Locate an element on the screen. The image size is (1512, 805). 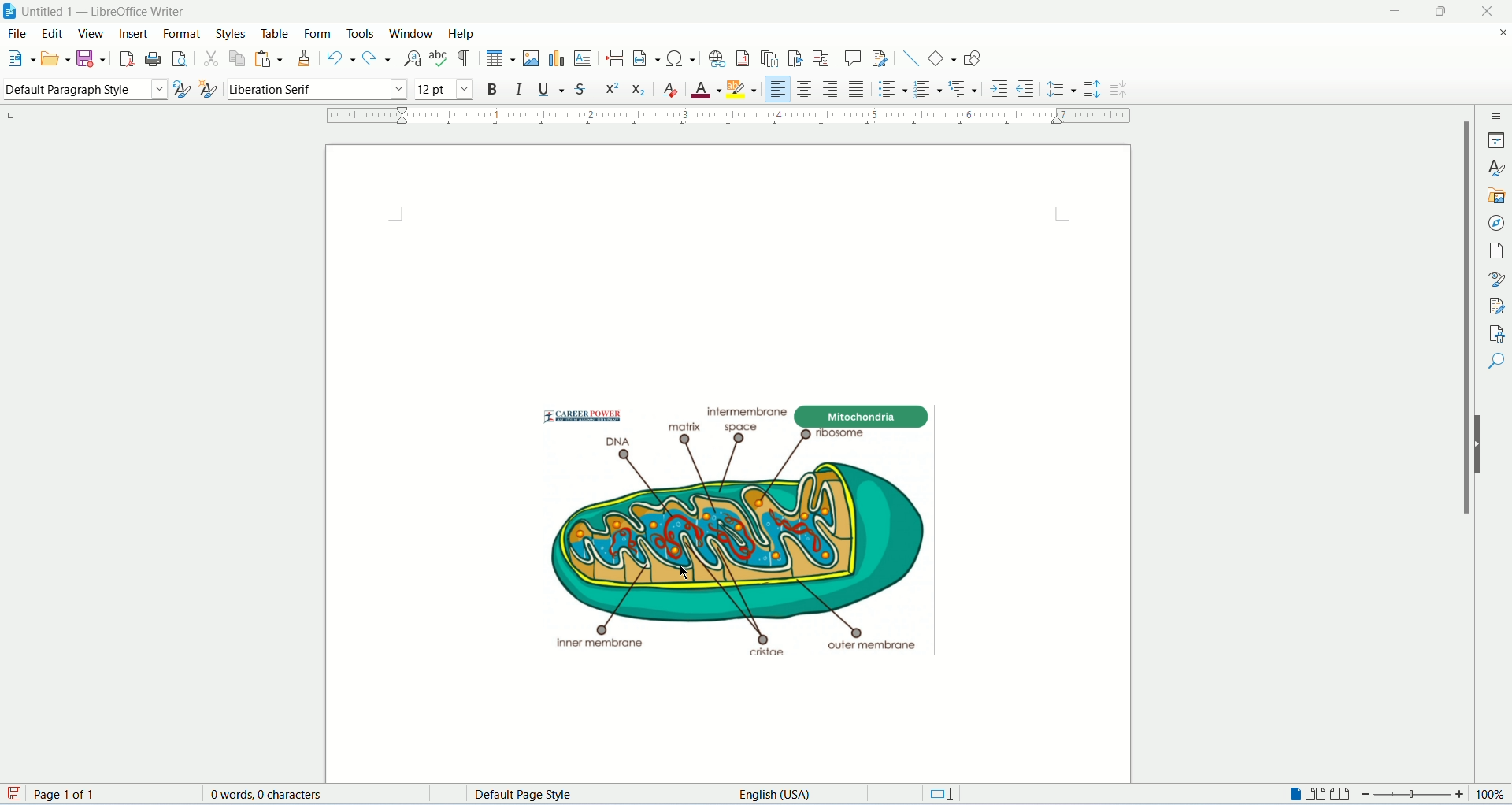
open is located at coordinates (55, 57).